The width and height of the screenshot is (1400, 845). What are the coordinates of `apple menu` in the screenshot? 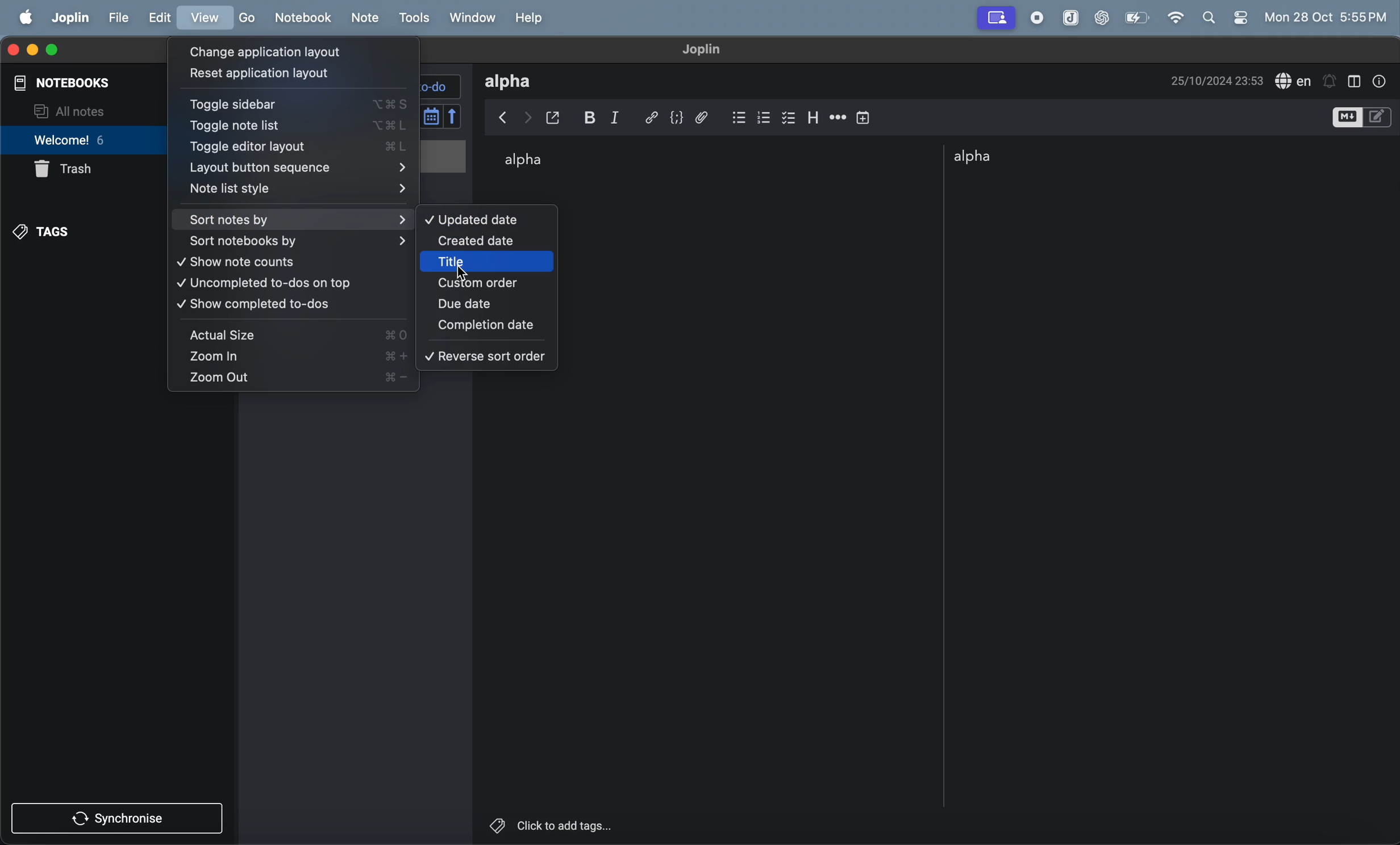 It's located at (24, 18).